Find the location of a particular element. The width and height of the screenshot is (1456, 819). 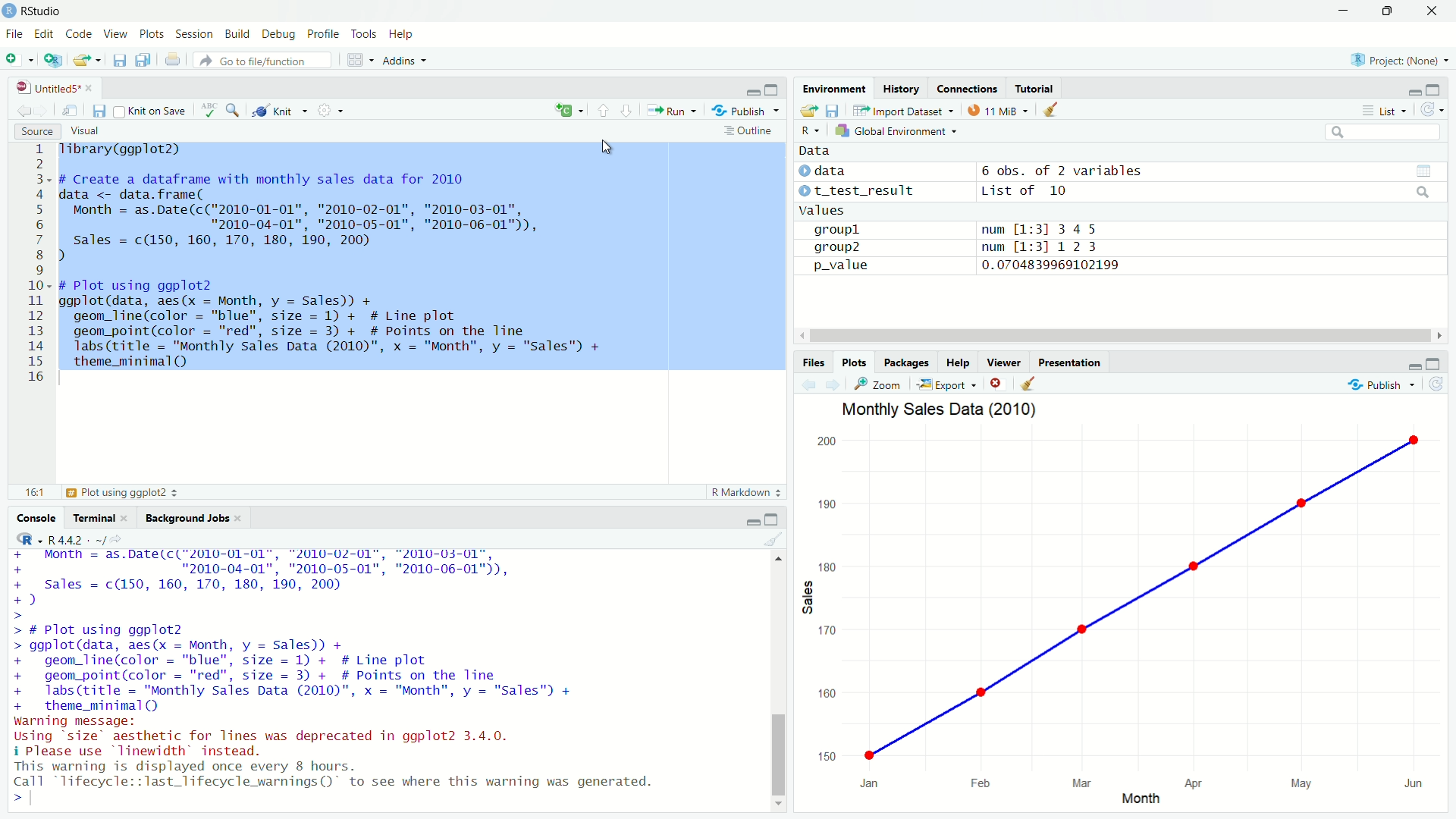

KIS. CT IEREELITT. FRpeEL BYR. Sy Shee TeeLie Ss
Type 'contributors()' for more information and

"citation()' on how to cite R or R packages in publications.

Type 'demo()' for some demos, 'help()' for on-Tine help, or

"help.start()' for an HTML browser interface to help.

Type 'q()' to quit R.

> groupl <- c(3, 4, 5)

> group? <- c, 2, 3)

>

> t_test_result <- t.test(groupl, group2, var.equal = TRUE) # Assuming equal variances
>

> p_value <- t_test_resultSp.value

> p_value

11 0.070484 is located at coordinates (355, 668).